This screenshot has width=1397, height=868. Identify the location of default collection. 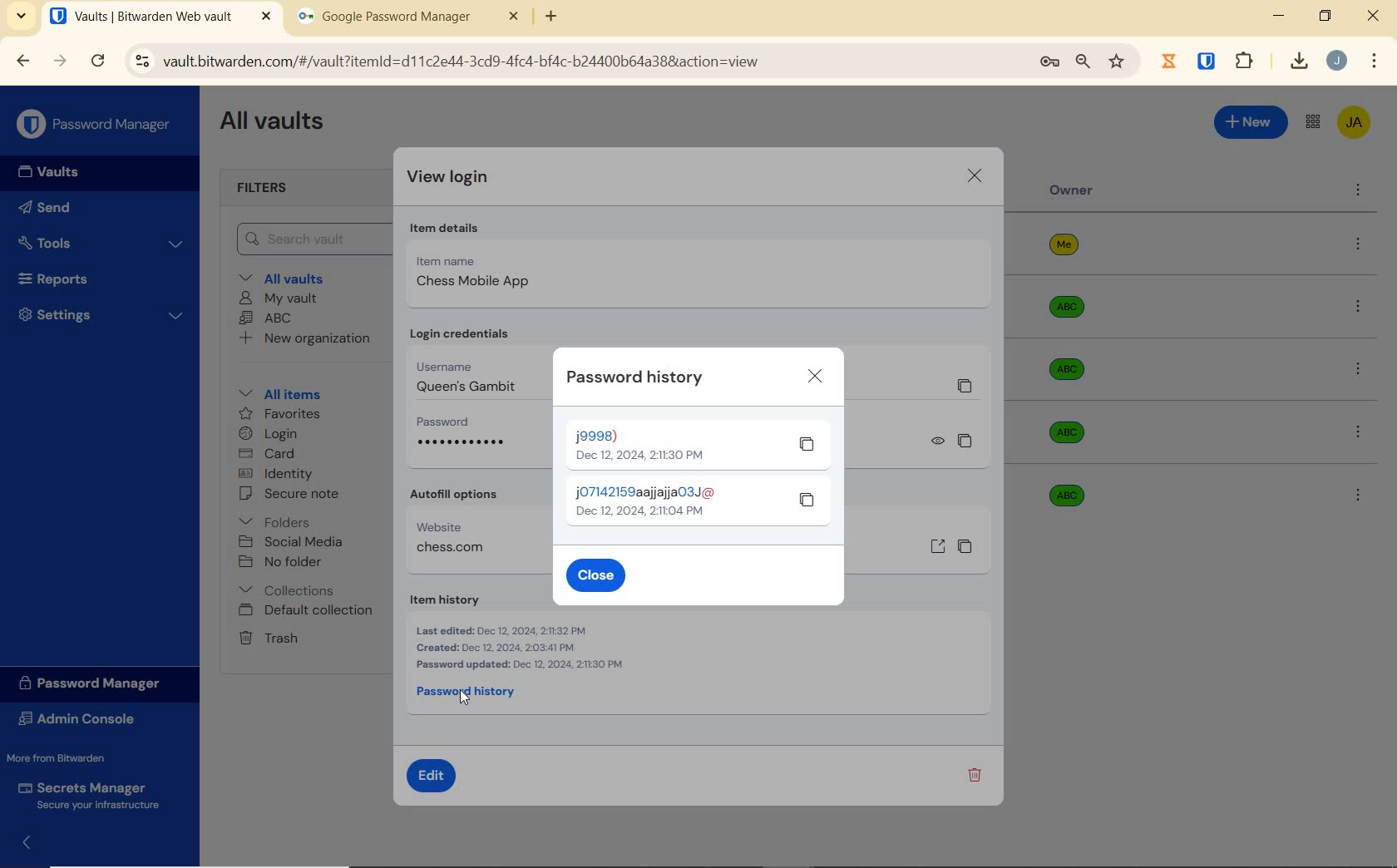
(309, 611).